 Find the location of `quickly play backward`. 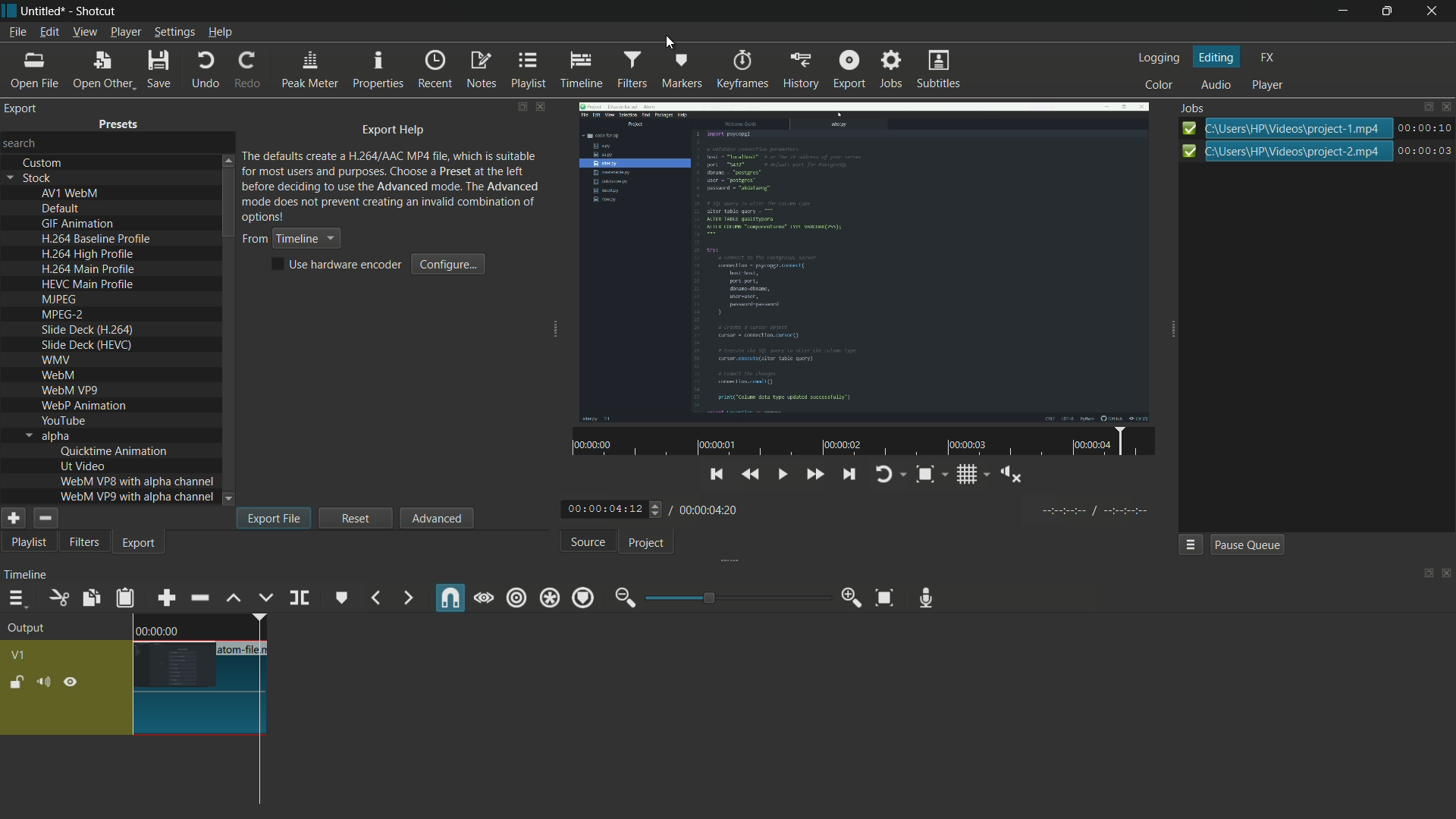

quickly play backward is located at coordinates (916, 508).